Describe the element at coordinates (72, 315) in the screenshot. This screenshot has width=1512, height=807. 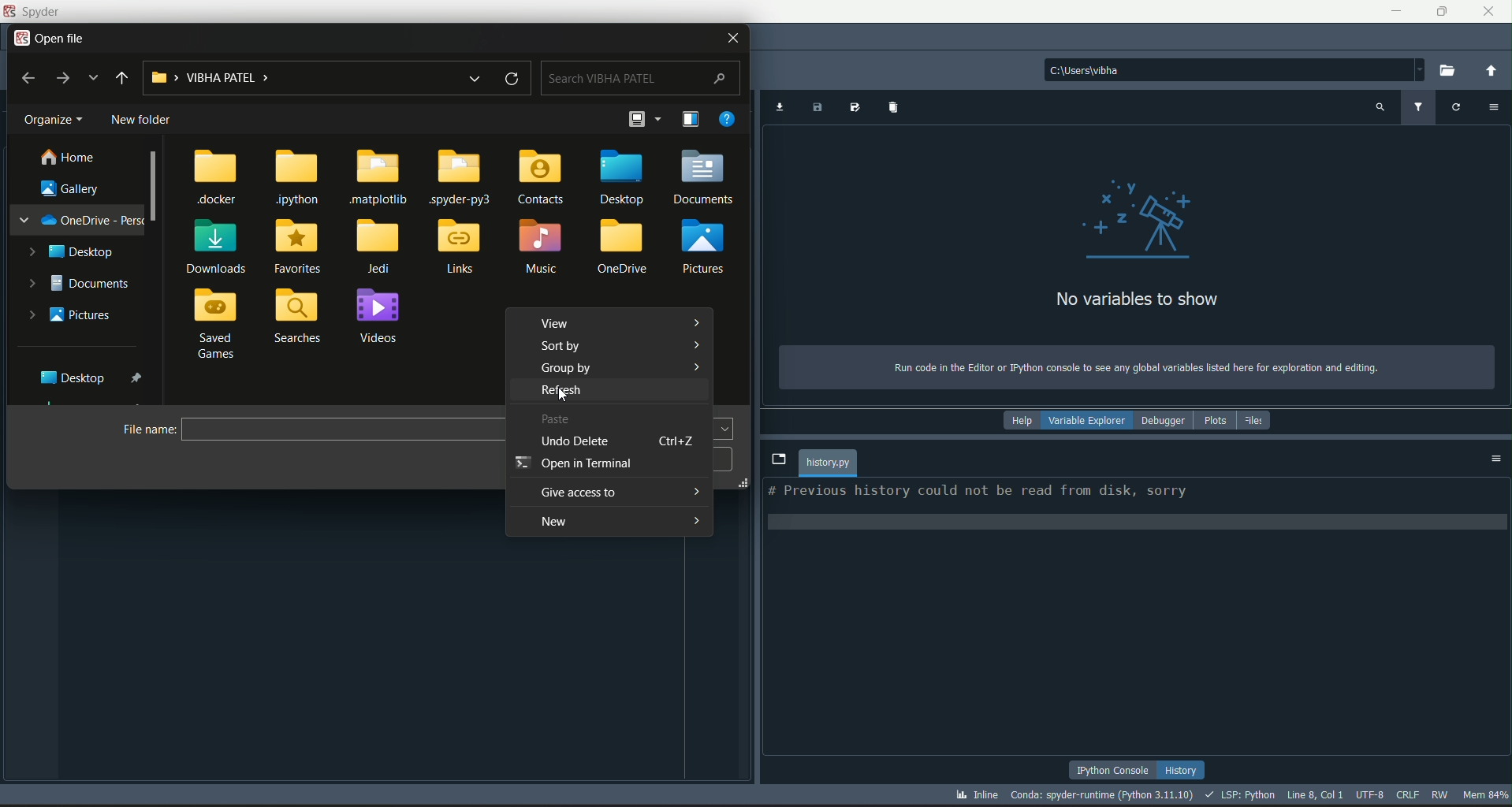
I see `pictures` at that location.